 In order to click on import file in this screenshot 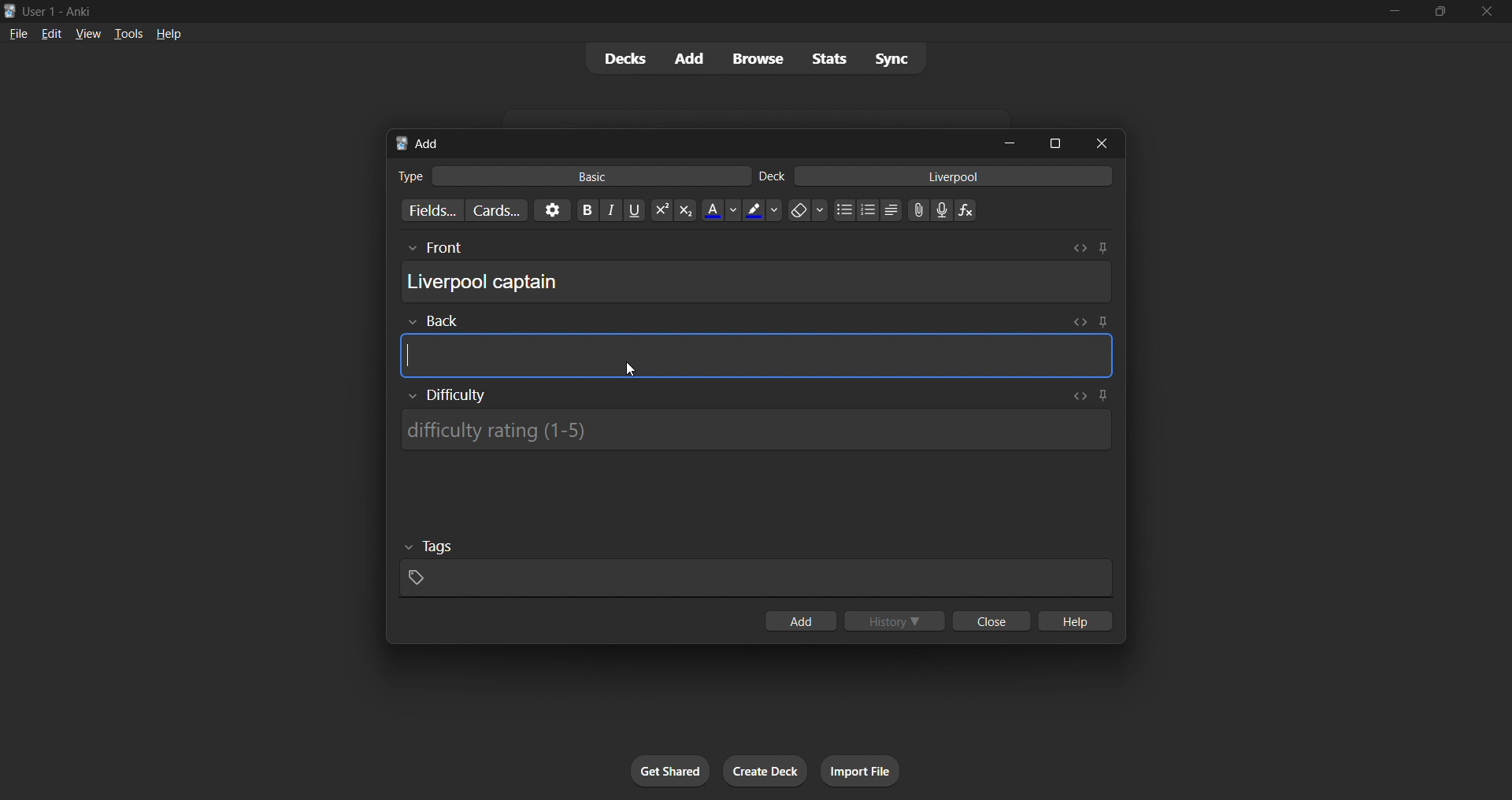, I will do `click(860, 771)`.